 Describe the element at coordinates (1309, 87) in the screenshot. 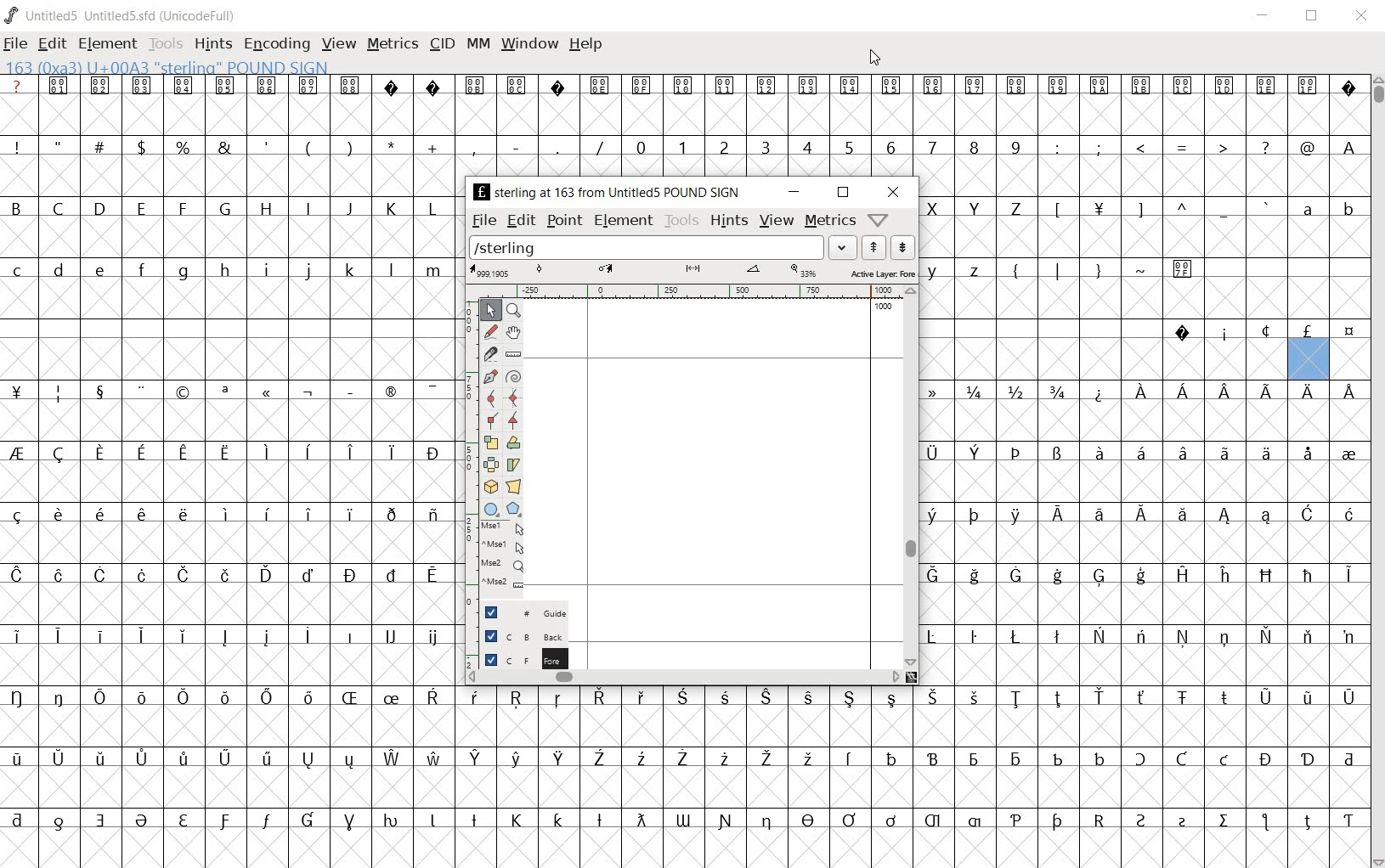

I see `Symbol` at that location.